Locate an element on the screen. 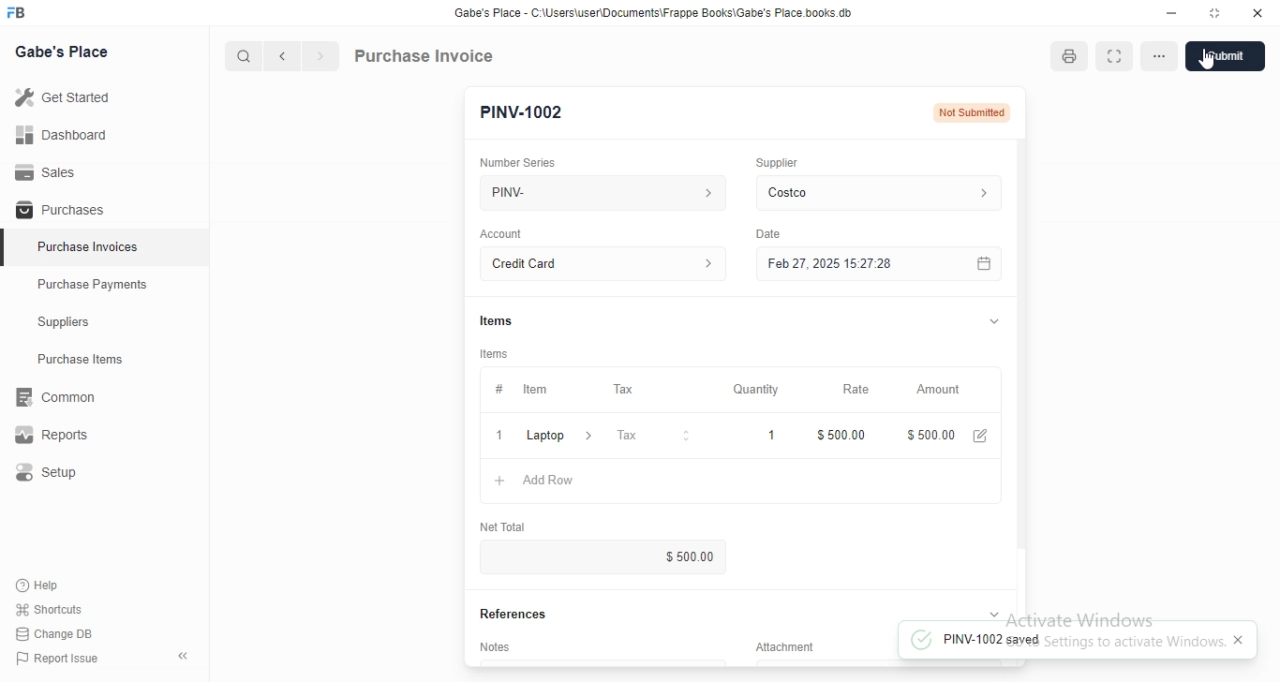  Items is located at coordinates (496, 321).